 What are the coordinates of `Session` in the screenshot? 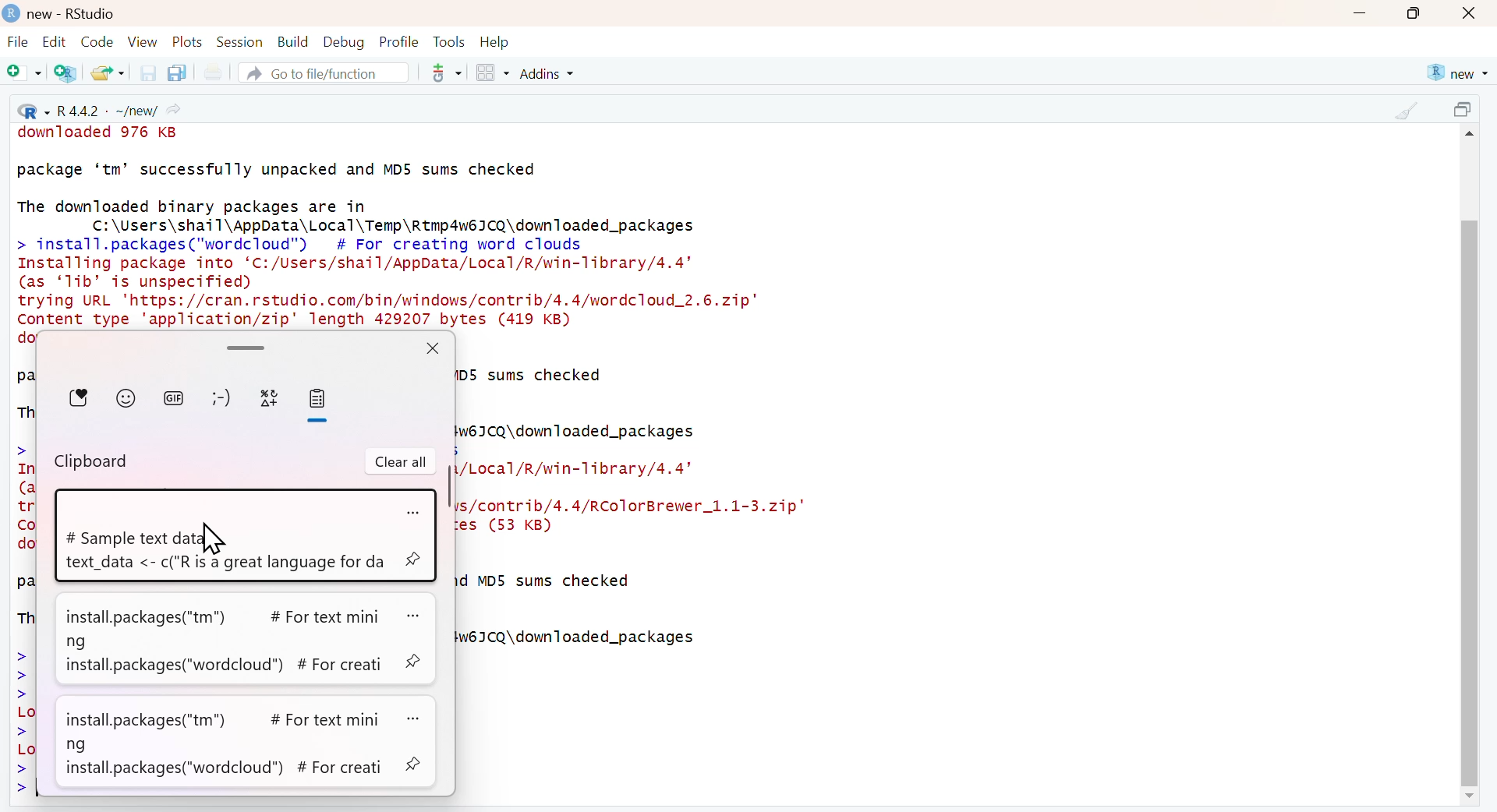 It's located at (242, 42).